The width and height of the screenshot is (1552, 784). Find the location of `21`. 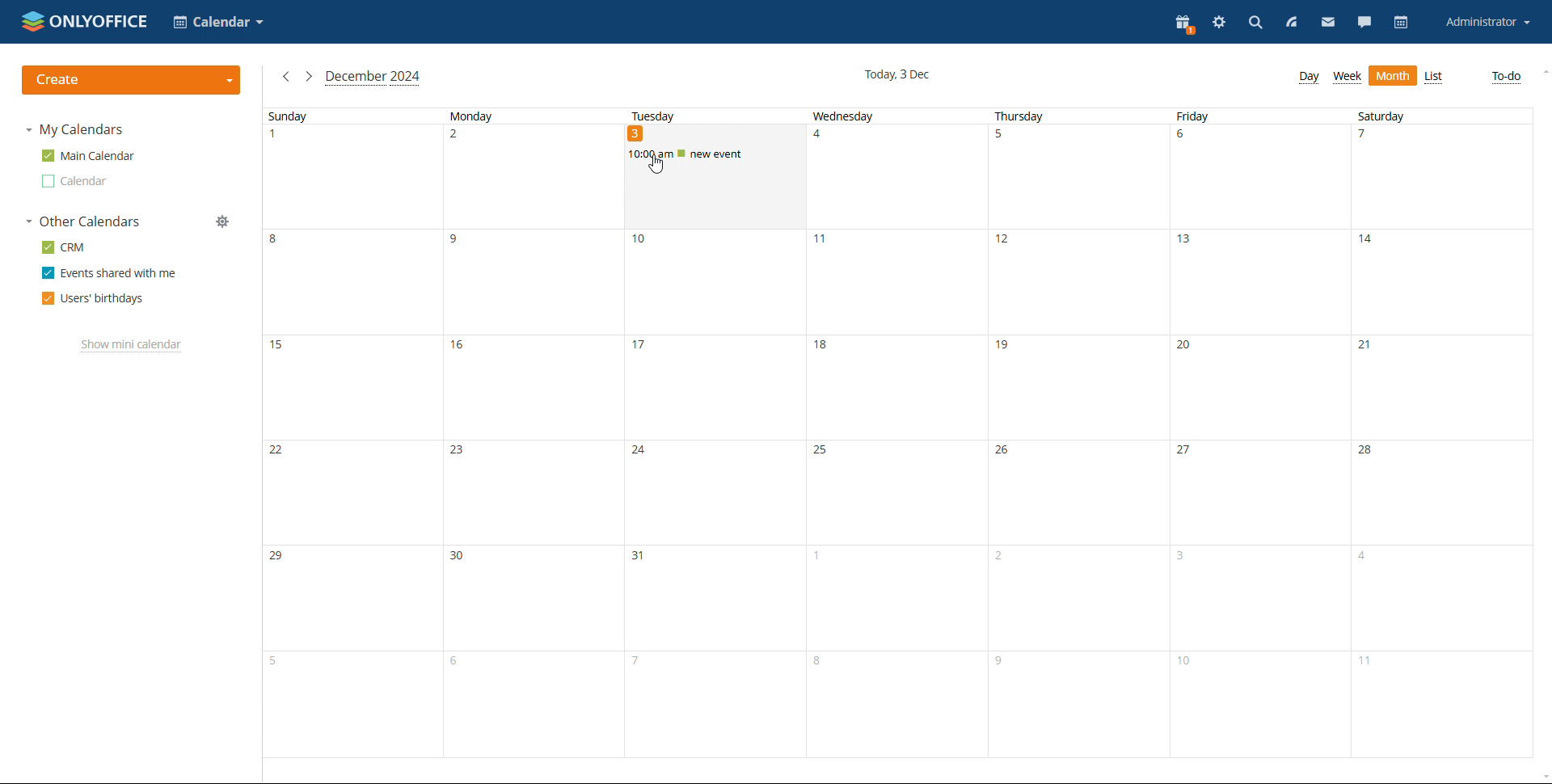

21 is located at coordinates (1449, 387).